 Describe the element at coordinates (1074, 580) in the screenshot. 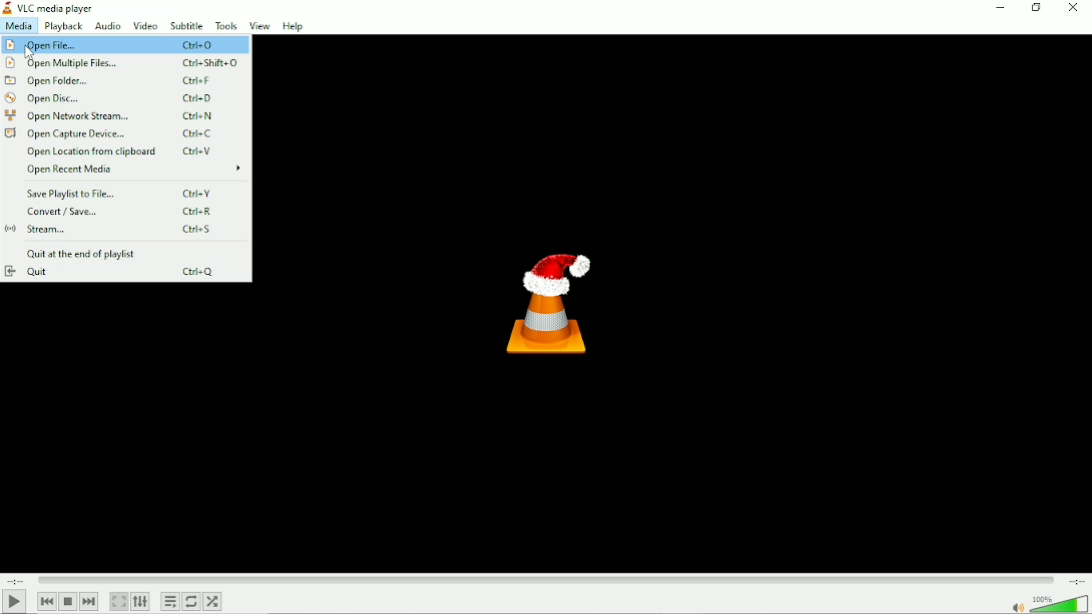

I see `Total duration` at that location.